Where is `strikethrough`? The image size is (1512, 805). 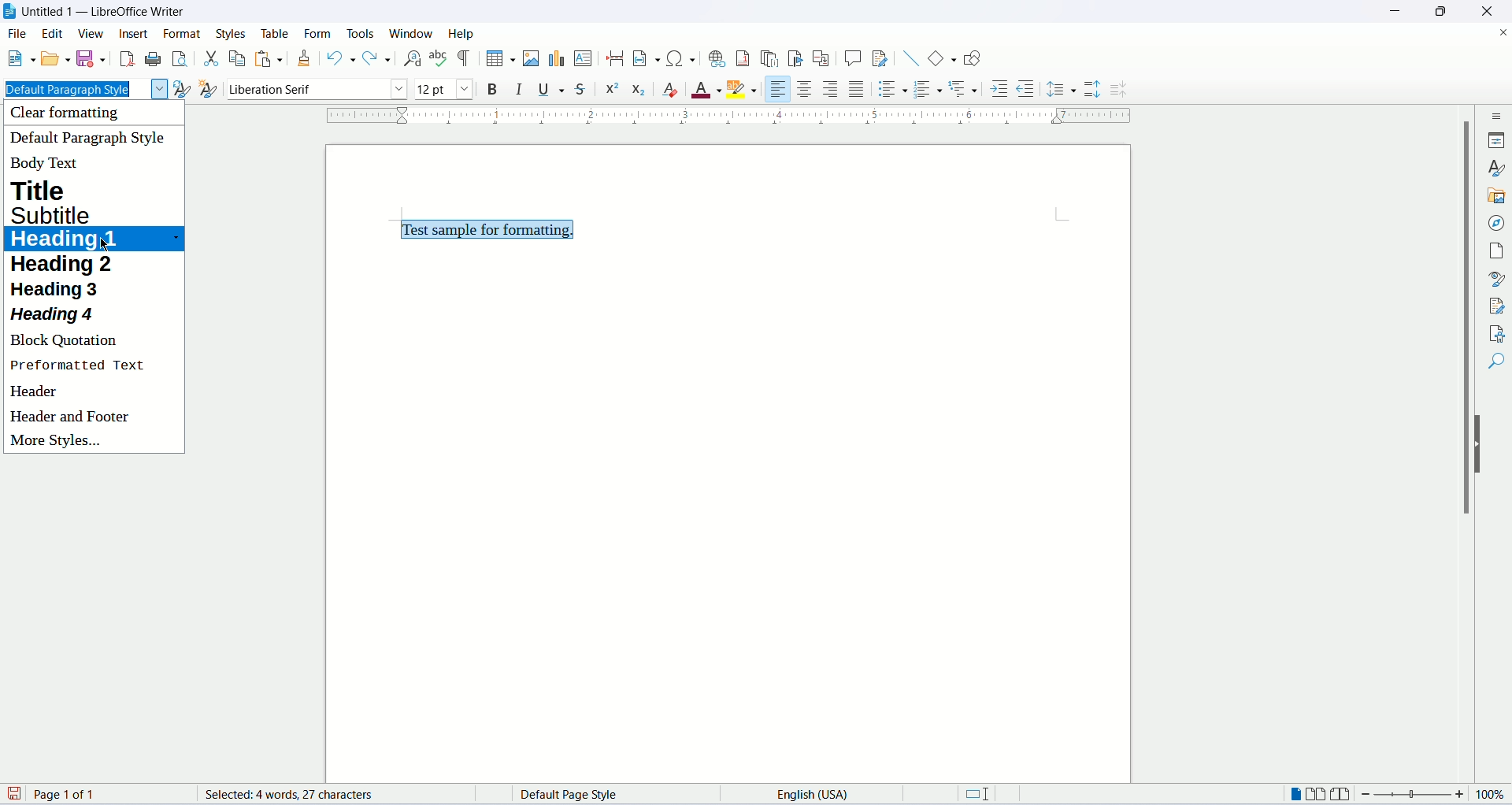 strikethrough is located at coordinates (584, 87).